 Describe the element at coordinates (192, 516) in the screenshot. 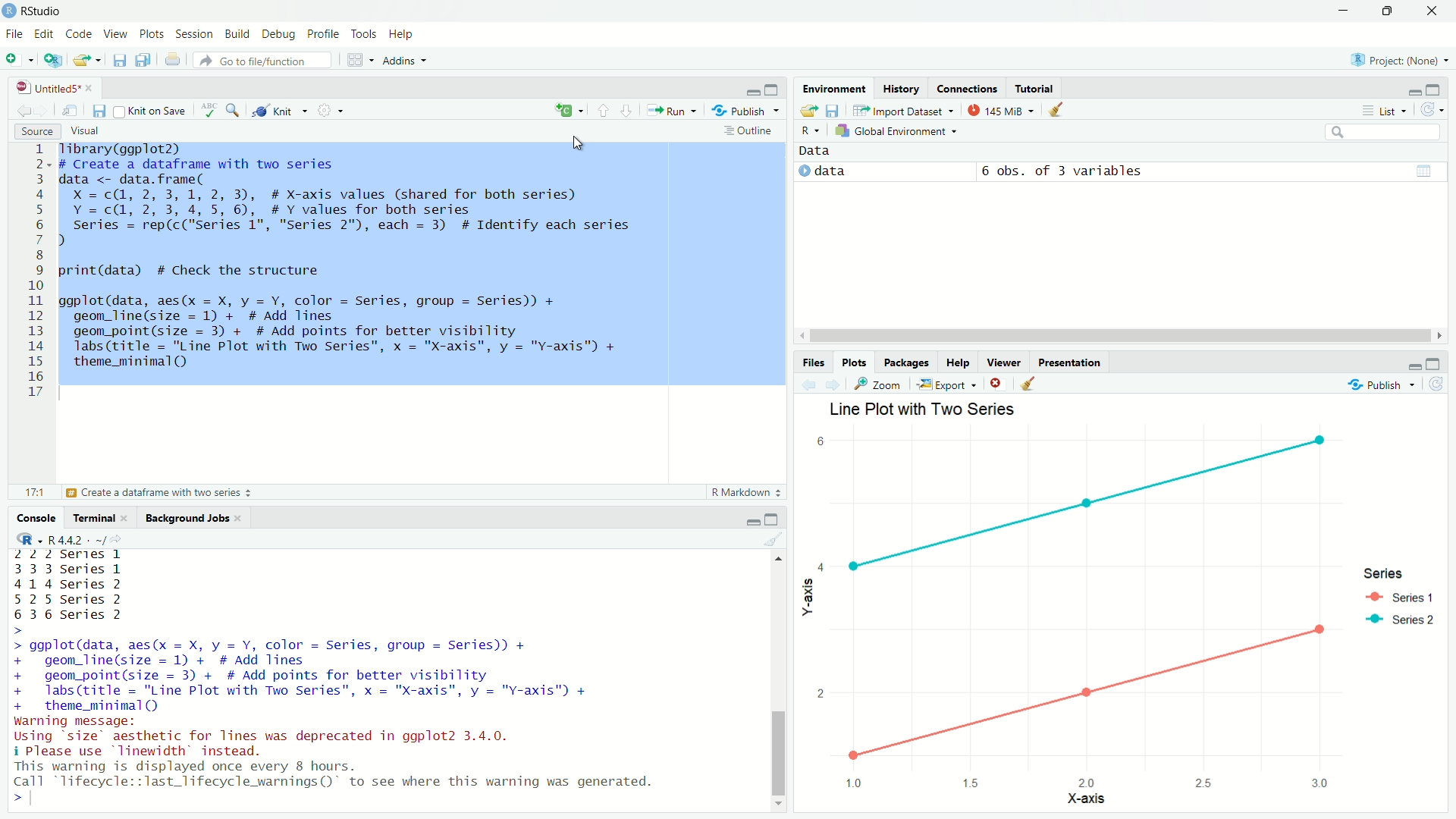

I see `Bckground Jobs` at that location.